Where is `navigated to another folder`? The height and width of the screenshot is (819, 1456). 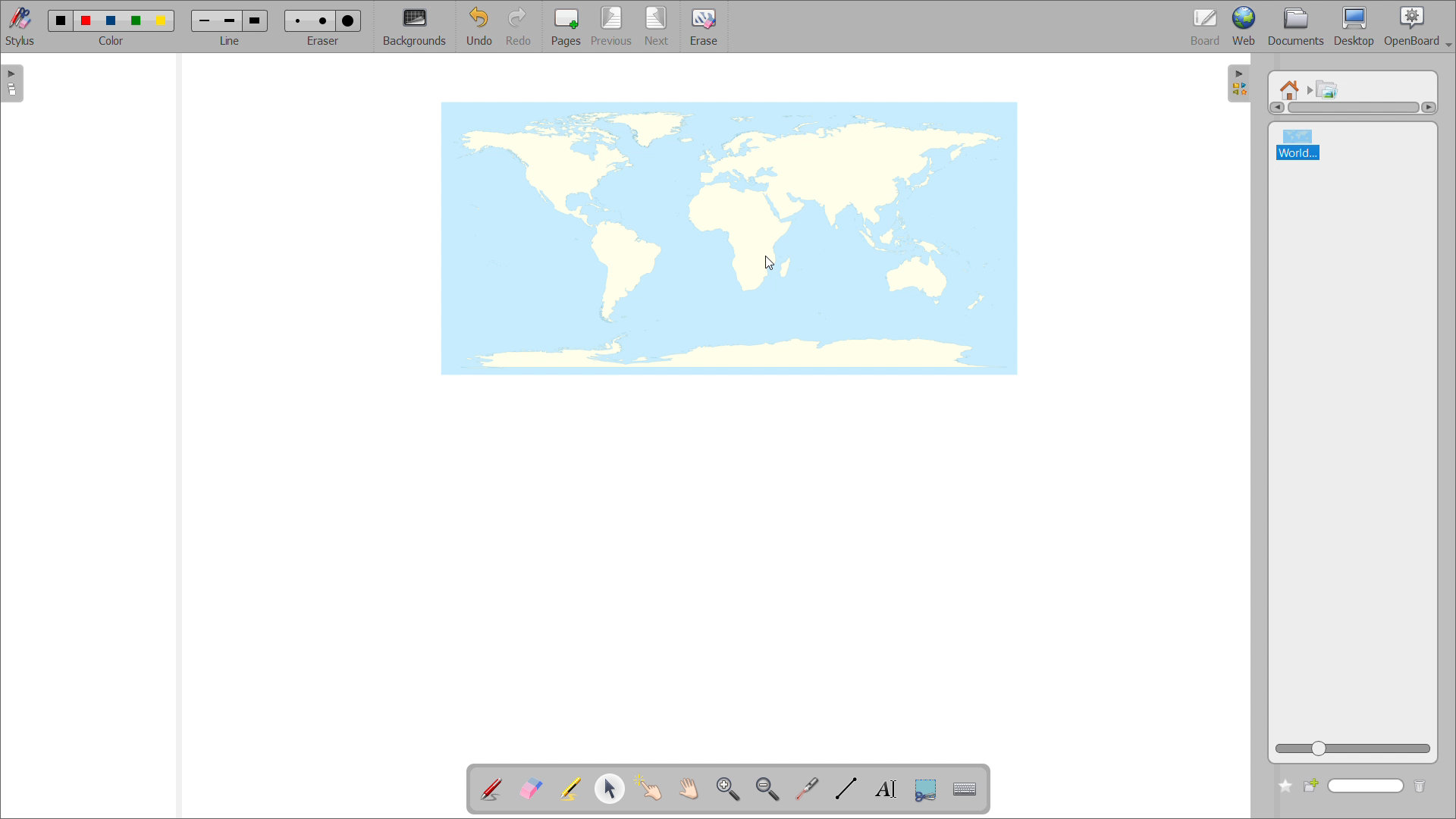 navigated to another folder is located at coordinates (1310, 89).